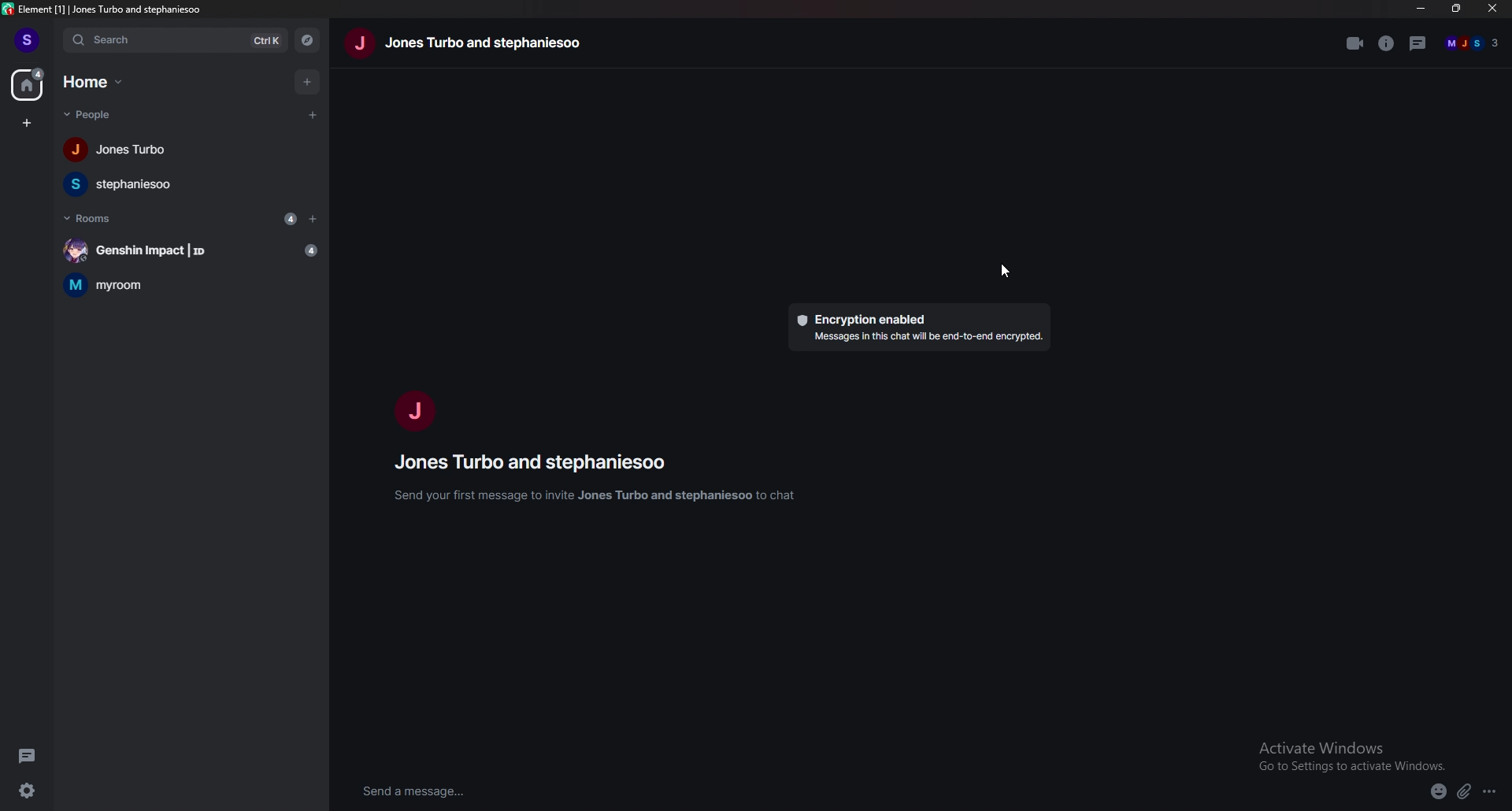 Image resolution: width=1512 pixels, height=811 pixels. Describe the element at coordinates (601, 500) in the screenshot. I see `Send your first message to invite jones turbo and stephaniesoo to chat` at that location.